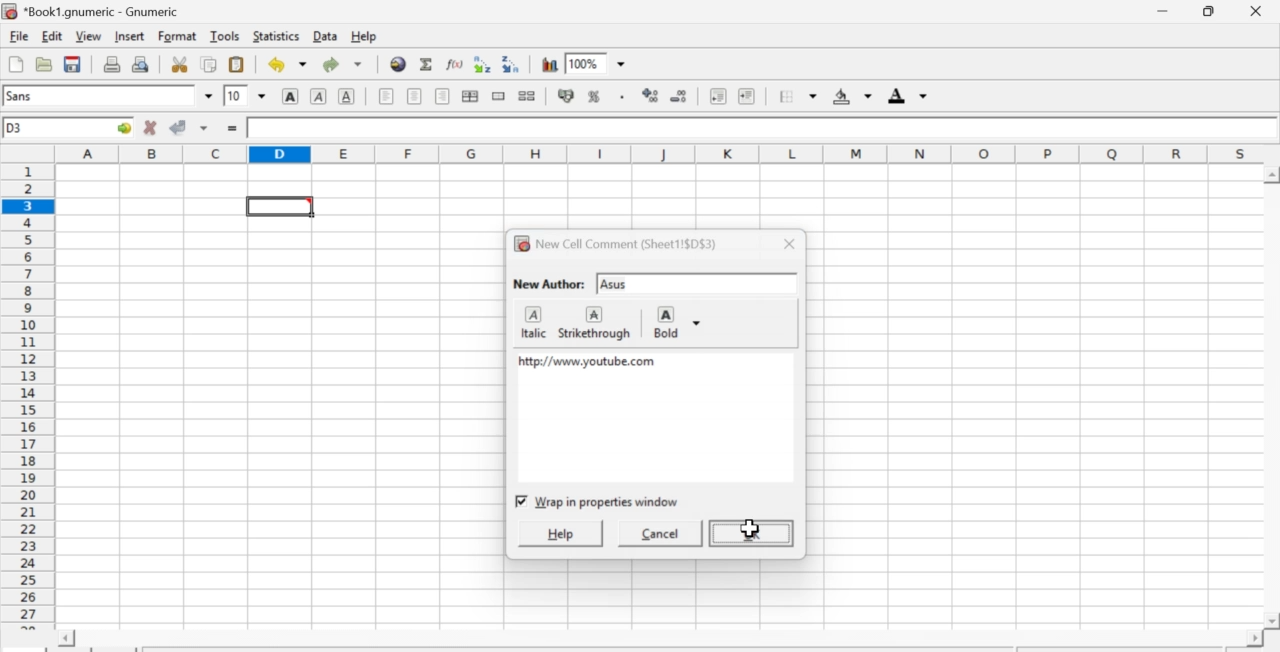  I want to click on Cancel change, so click(148, 127).